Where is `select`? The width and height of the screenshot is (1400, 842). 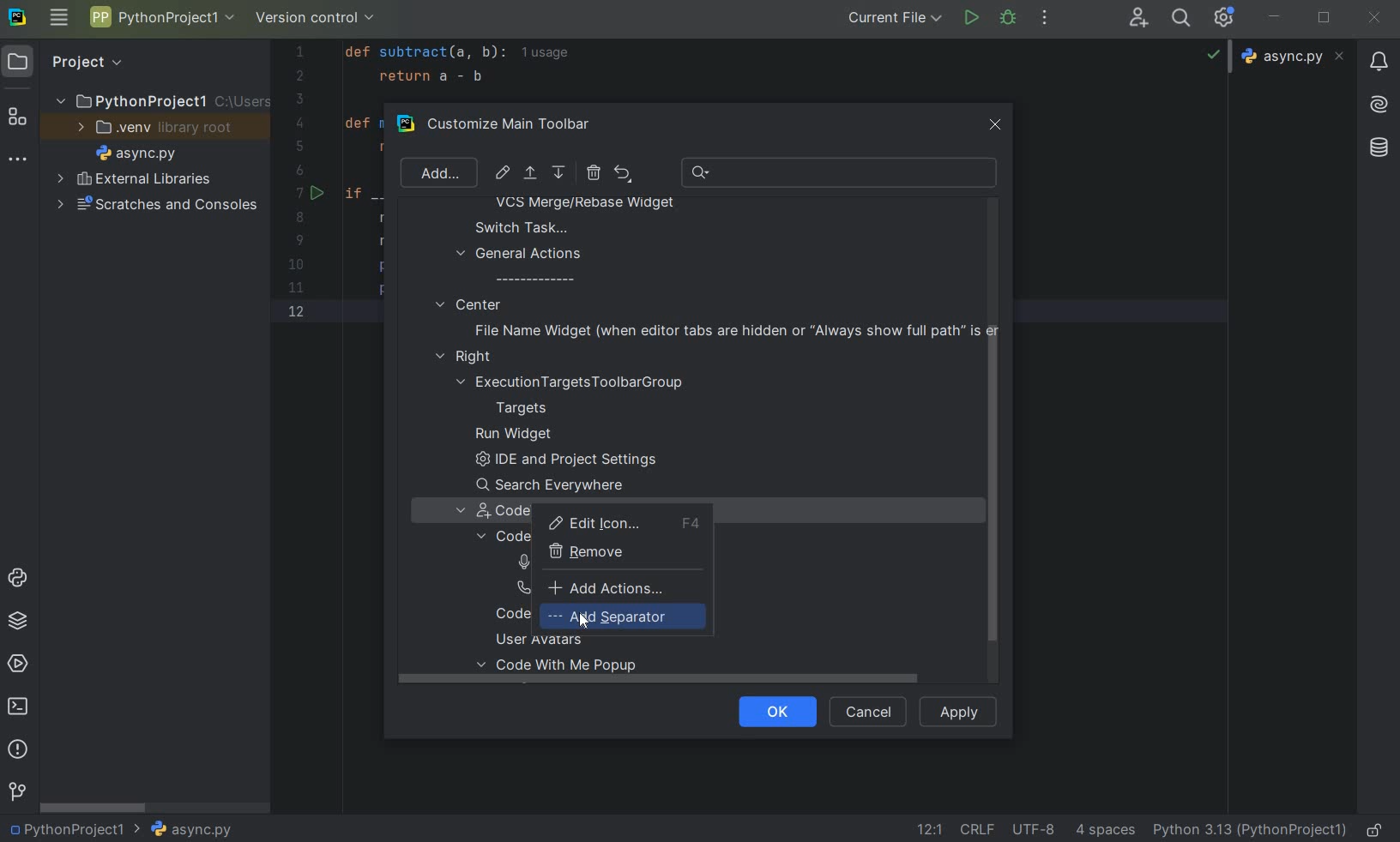 select is located at coordinates (532, 176).